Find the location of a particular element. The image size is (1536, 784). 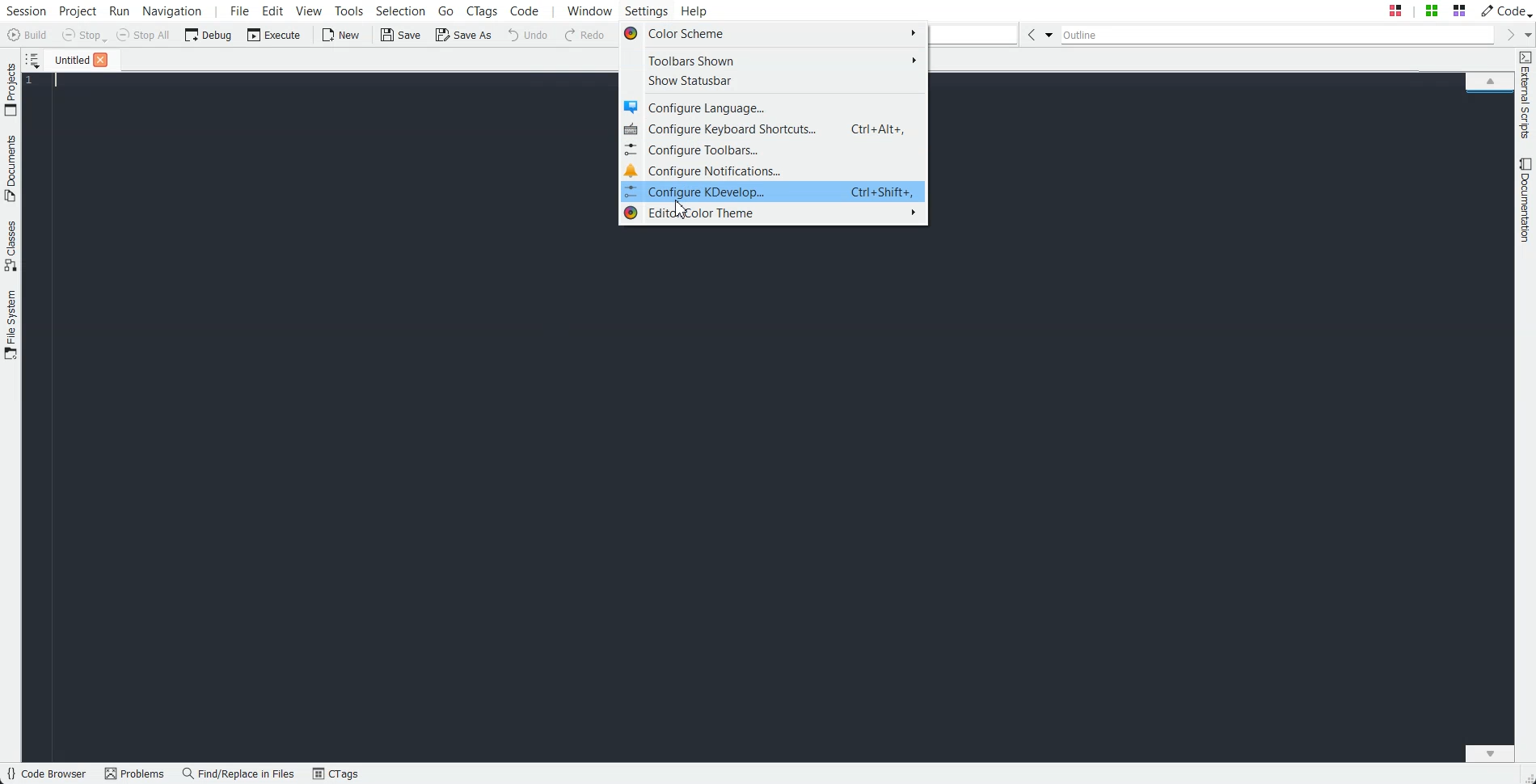

CTags is located at coordinates (335, 774).